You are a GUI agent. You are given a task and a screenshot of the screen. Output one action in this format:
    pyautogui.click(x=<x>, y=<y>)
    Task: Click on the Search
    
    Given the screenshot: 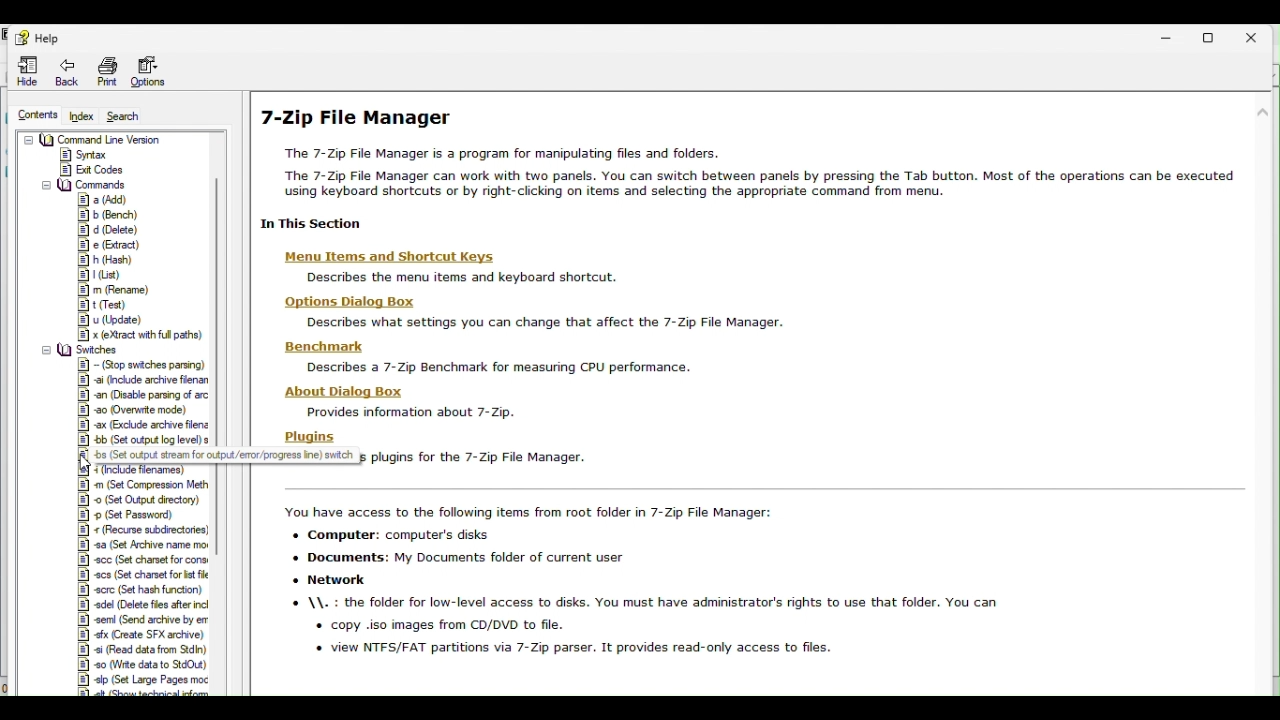 What is the action you would take?
    pyautogui.click(x=132, y=117)
    